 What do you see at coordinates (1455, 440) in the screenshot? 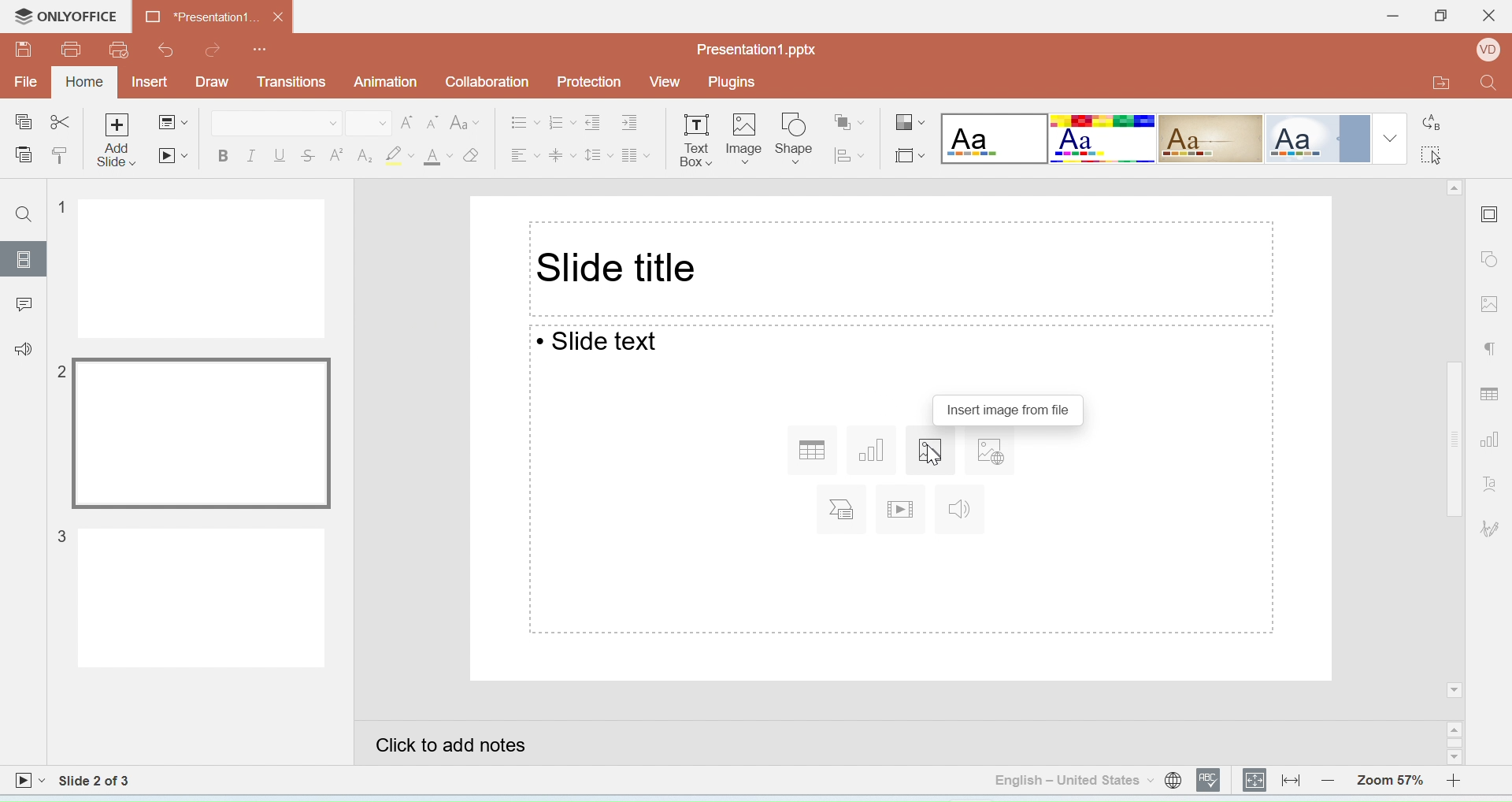
I see `Scroll bar` at bounding box center [1455, 440].